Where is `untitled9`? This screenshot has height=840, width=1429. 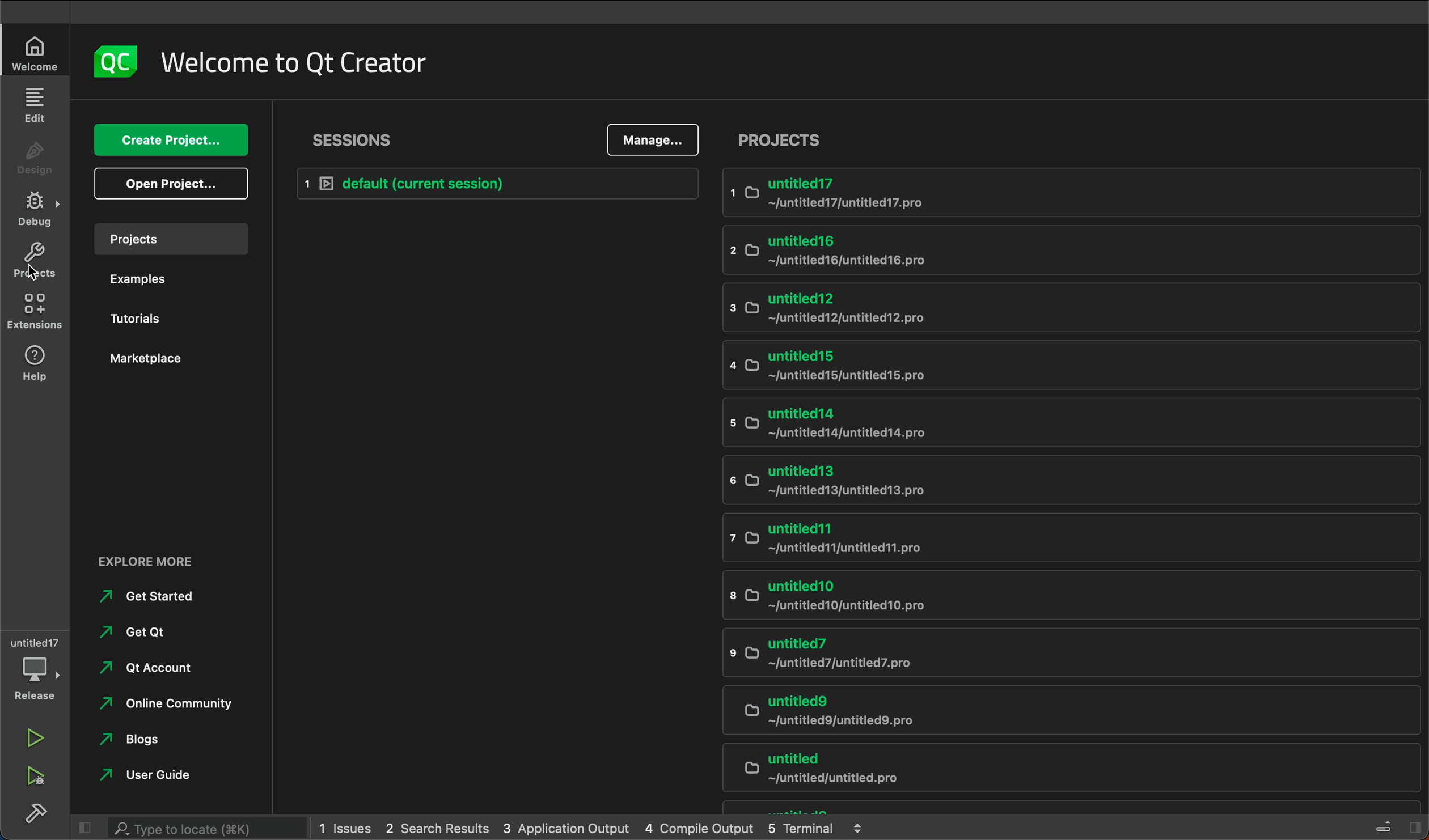 untitled9 is located at coordinates (969, 714).